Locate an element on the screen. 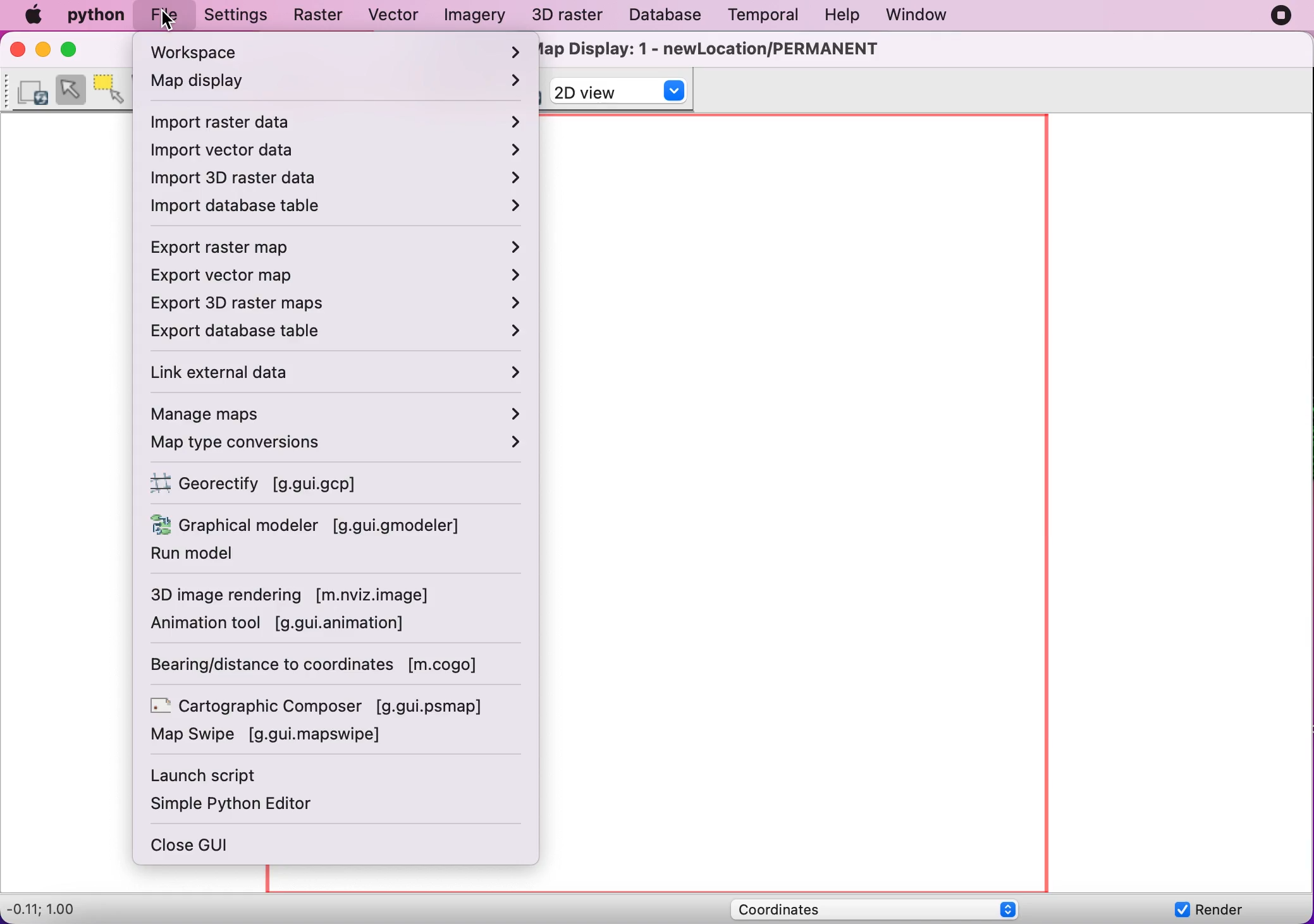 This screenshot has height=924, width=1314. recording stopped is located at coordinates (1279, 16).